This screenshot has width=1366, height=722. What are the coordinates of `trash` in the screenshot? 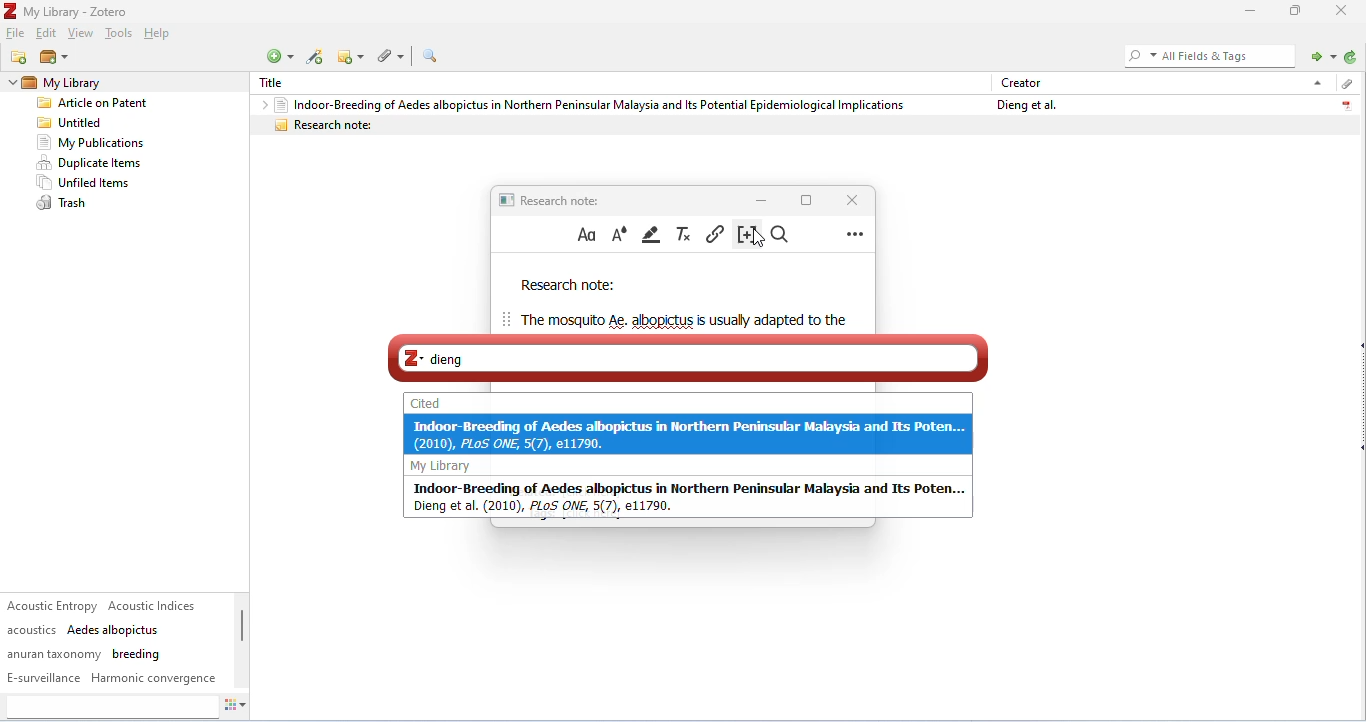 It's located at (65, 204).